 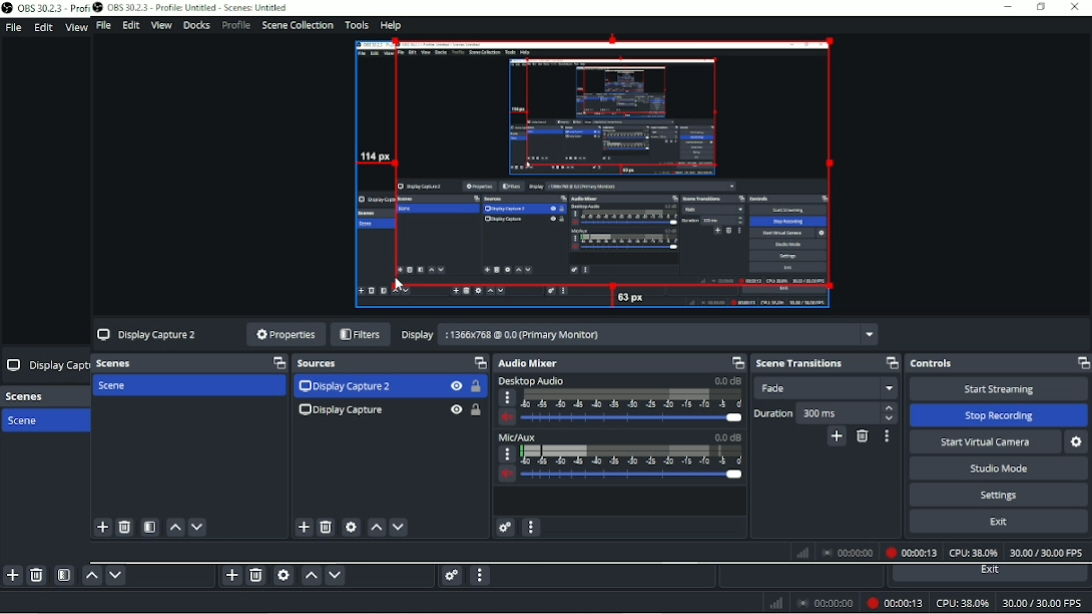 I want to click on Audio Mixer, so click(x=540, y=363).